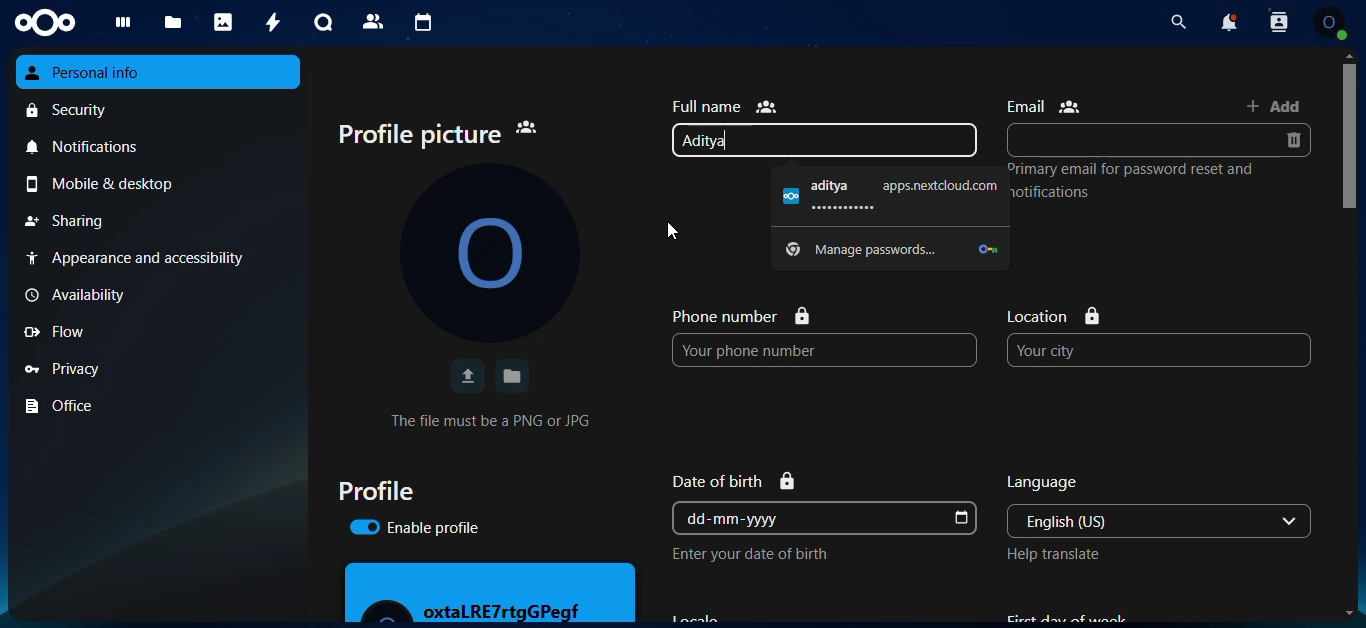  I want to click on English (US), so click(1139, 521).